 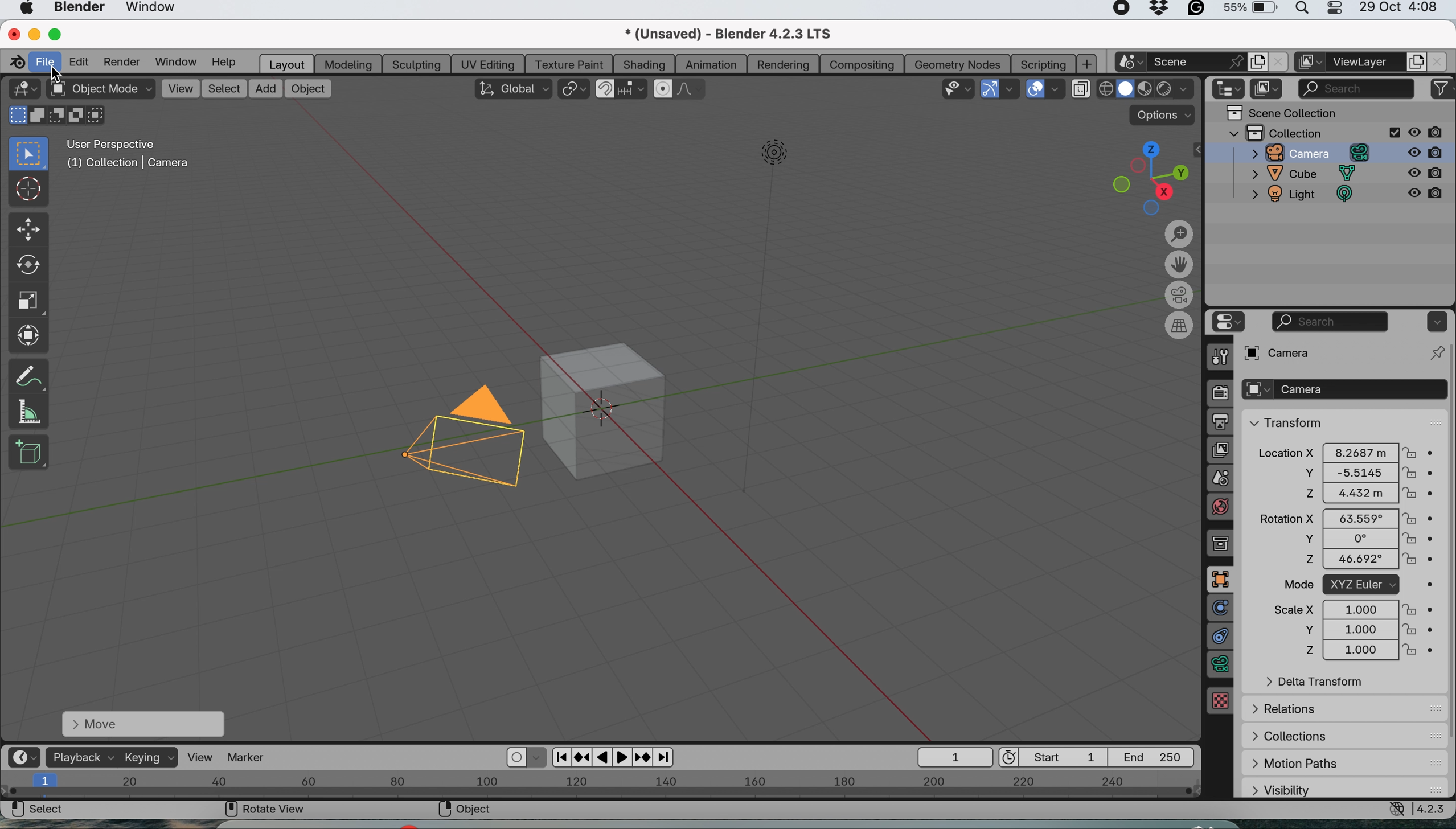 I want to click on collection, so click(x=1314, y=132).